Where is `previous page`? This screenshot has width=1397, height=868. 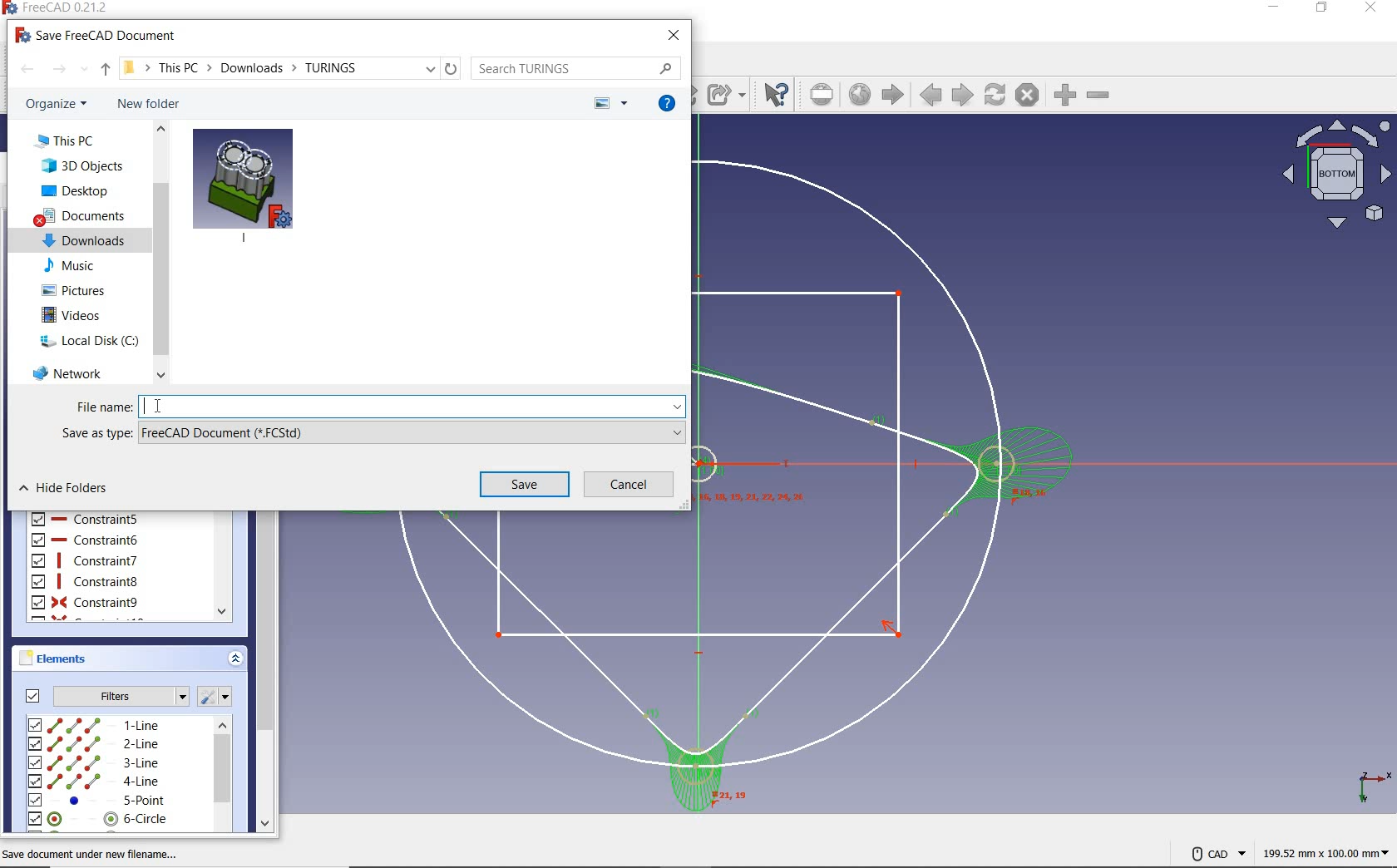
previous page is located at coordinates (931, 97).